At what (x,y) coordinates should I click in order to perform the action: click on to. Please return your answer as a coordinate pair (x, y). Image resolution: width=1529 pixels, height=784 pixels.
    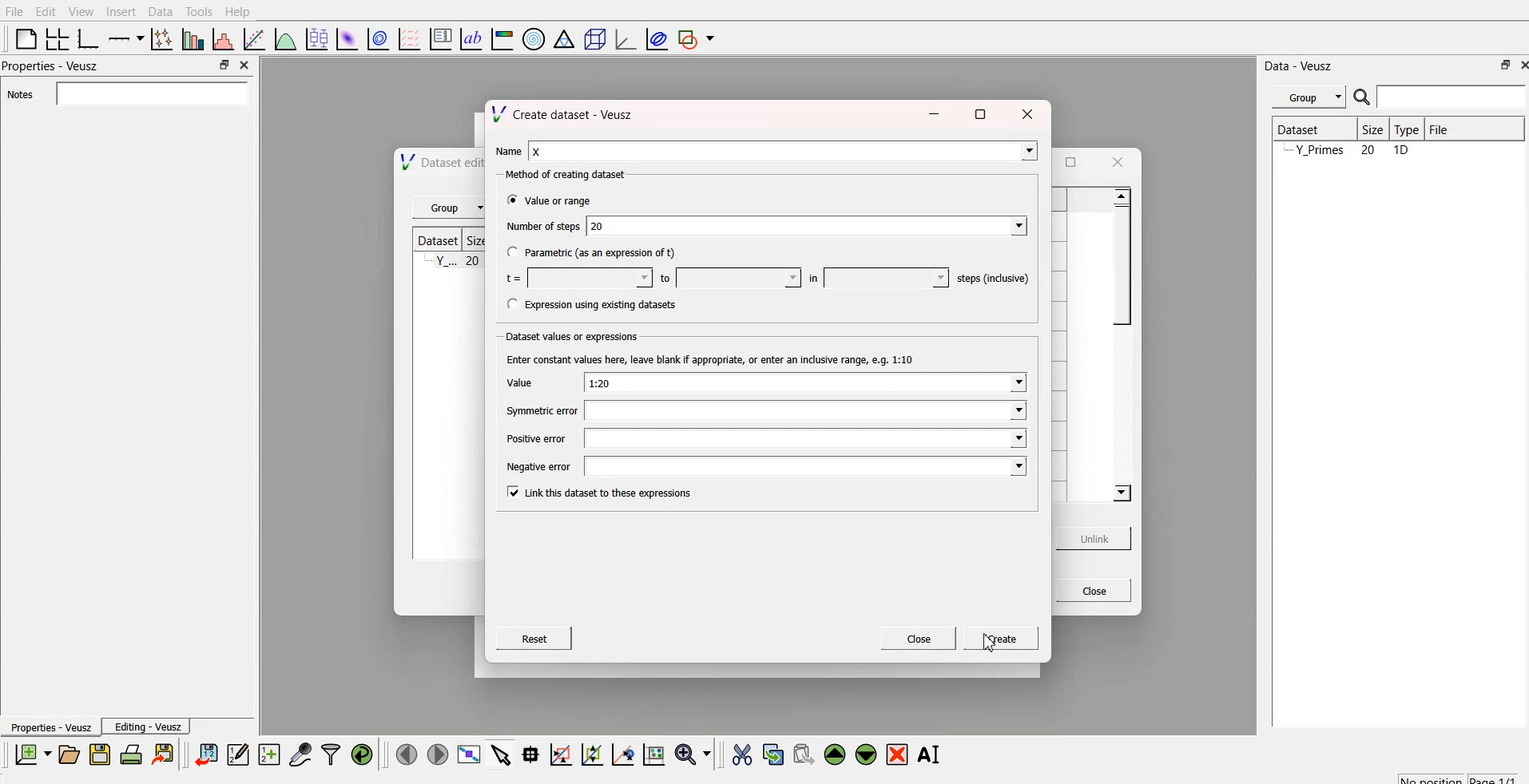
    Looking at the image, I should click on (727, 278).